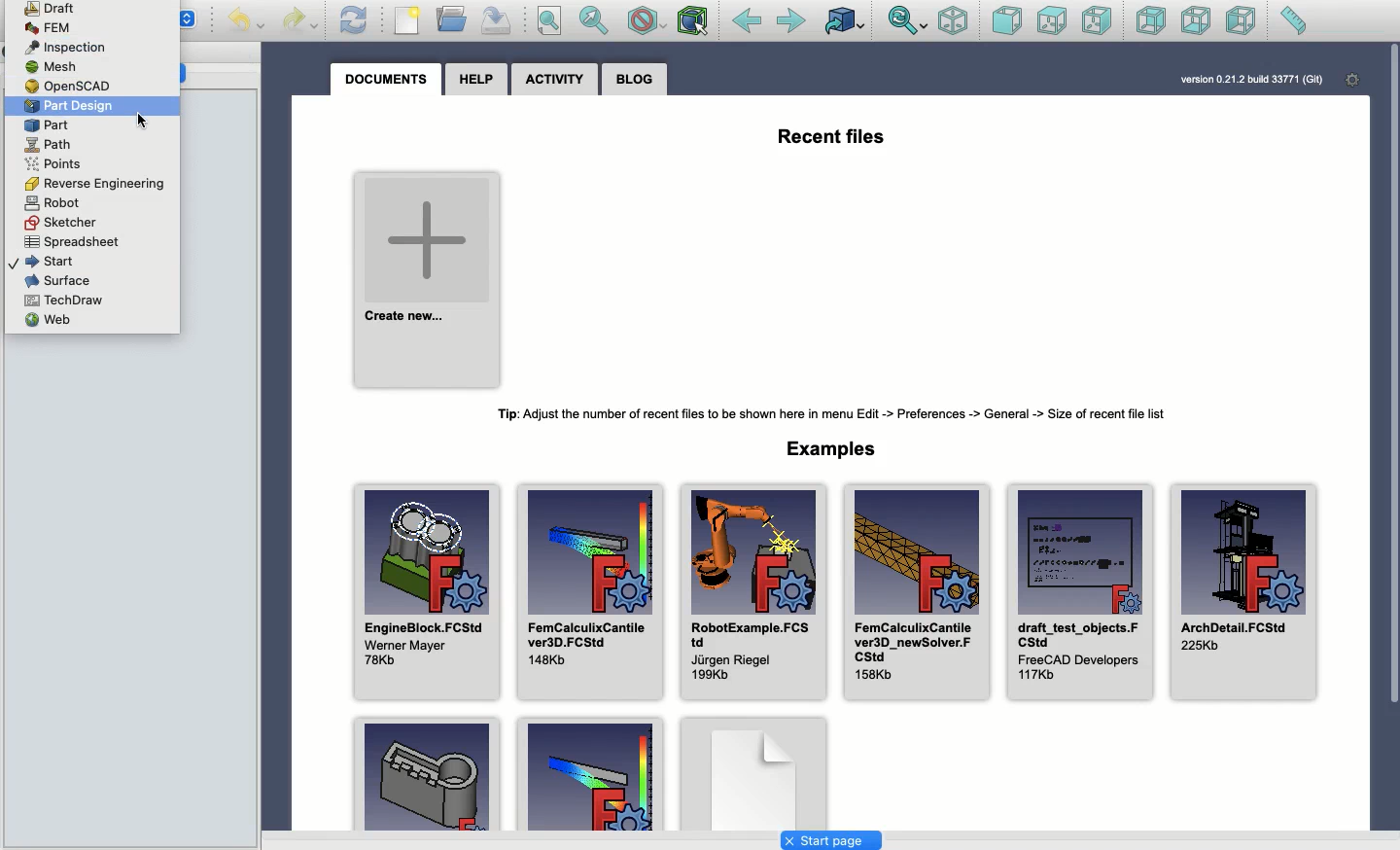 Image resolution: width=1400 pixels, height=850 pixels. Describe the element at coordinates (73, 106) in the screenshot. I see `Part design` at that location.